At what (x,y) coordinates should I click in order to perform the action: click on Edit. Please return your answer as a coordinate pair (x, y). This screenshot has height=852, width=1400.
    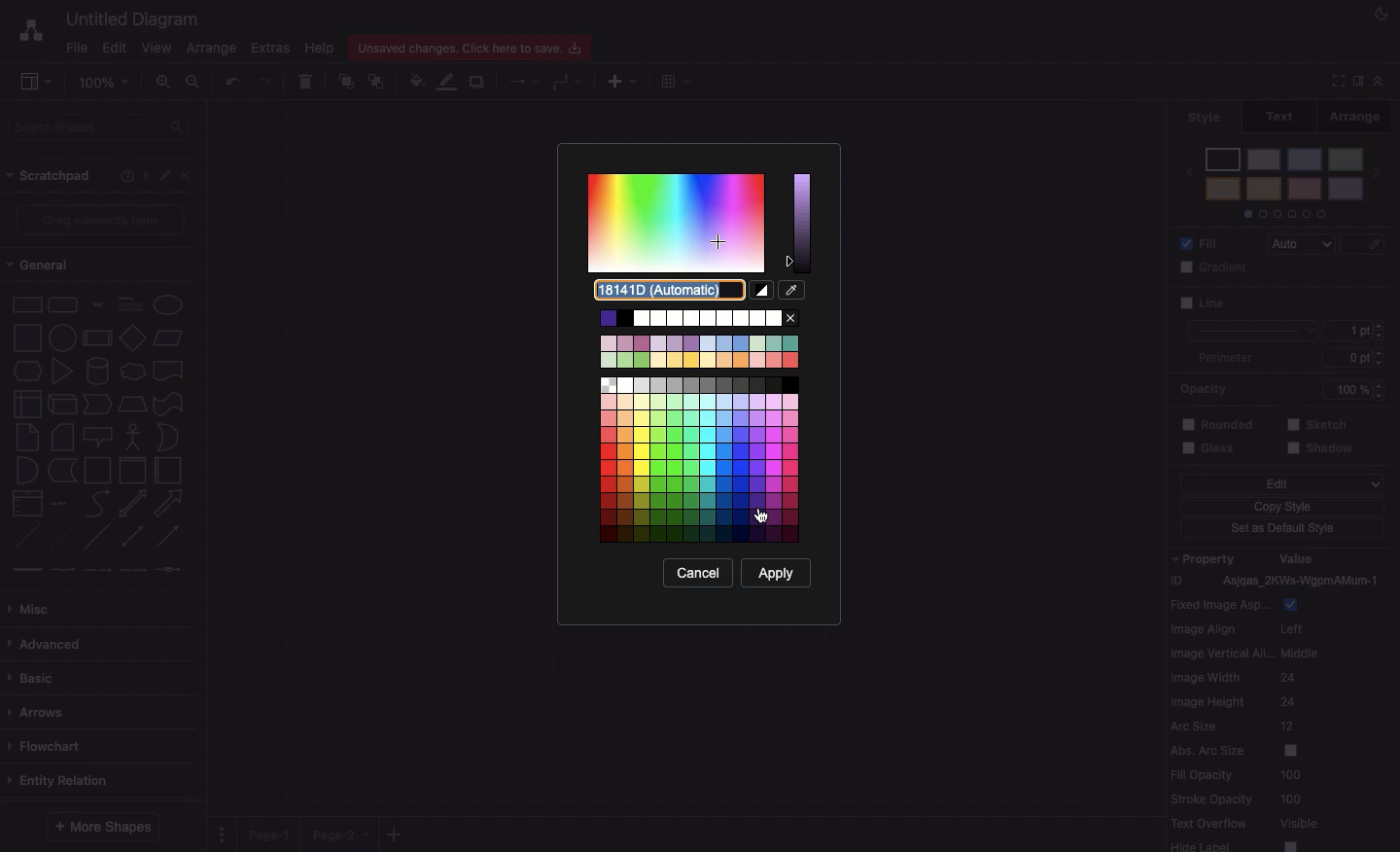
    Looking at the image, I should click on (1281, 484).